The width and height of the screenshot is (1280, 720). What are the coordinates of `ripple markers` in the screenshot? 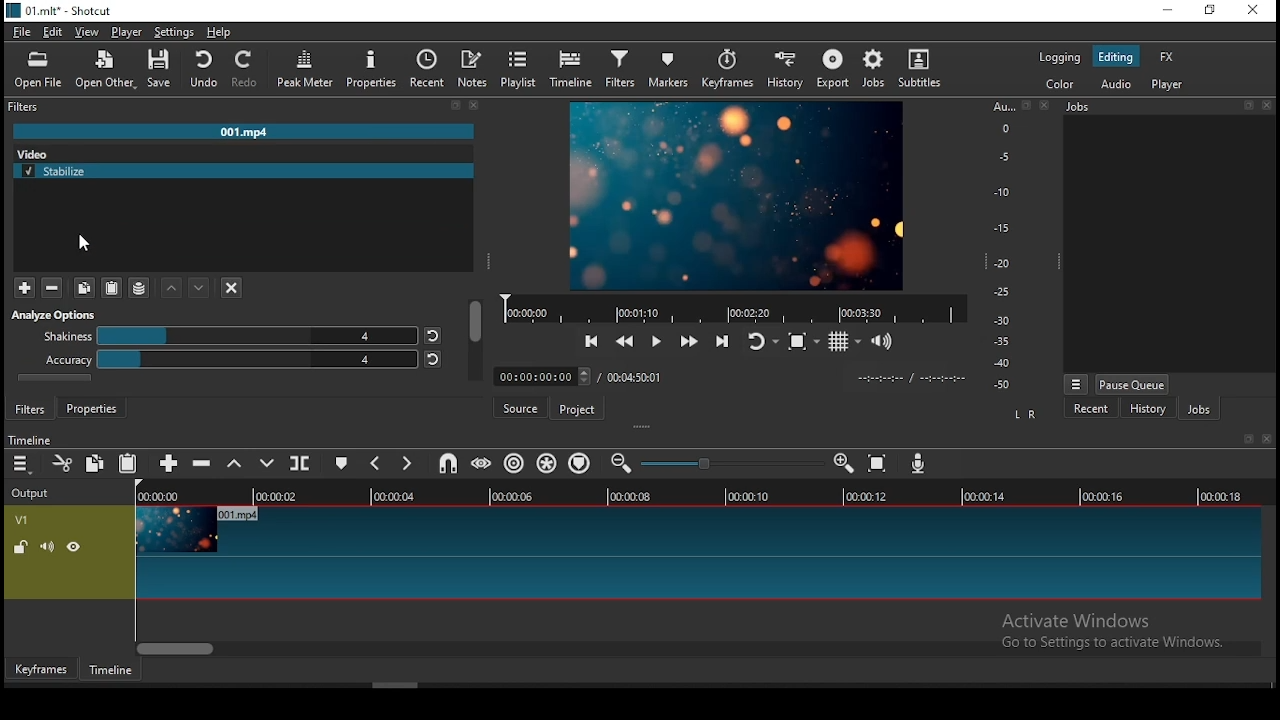 It's located at (578, 464).